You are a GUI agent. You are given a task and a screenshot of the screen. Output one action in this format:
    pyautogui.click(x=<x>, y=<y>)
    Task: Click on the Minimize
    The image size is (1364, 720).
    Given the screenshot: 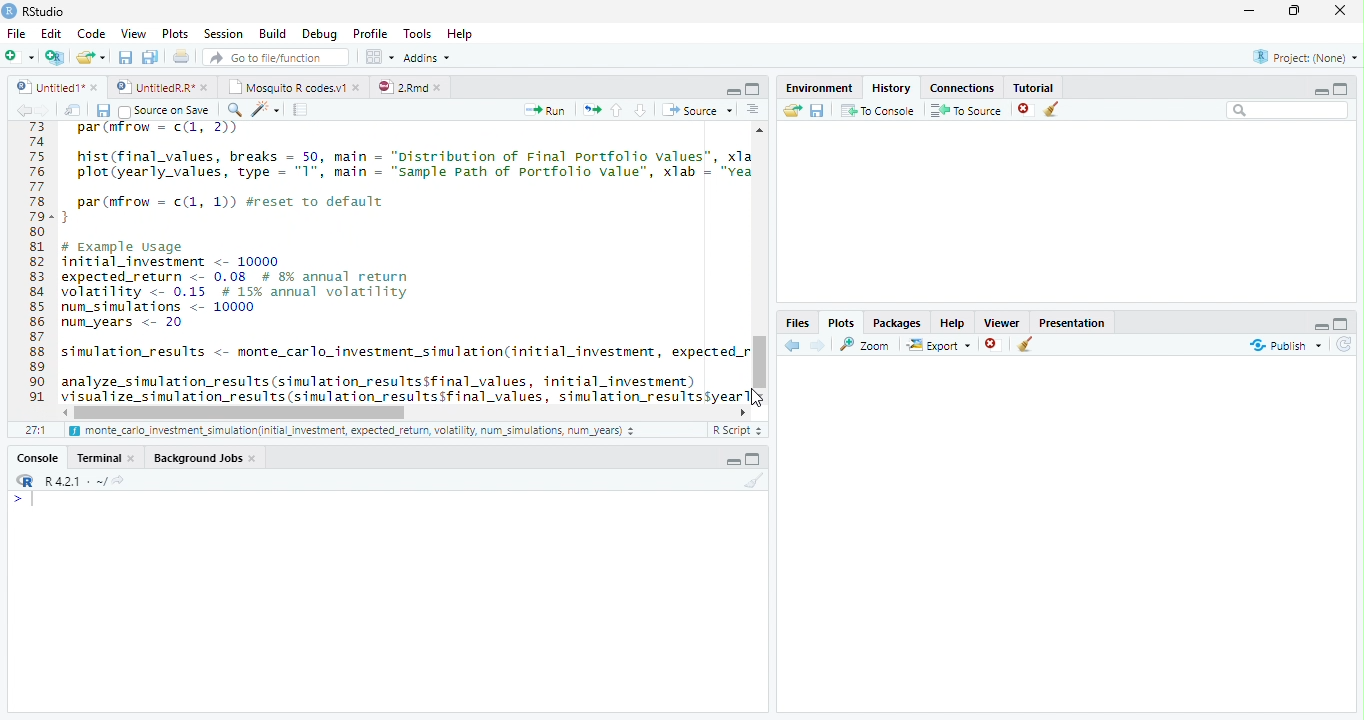 What is the action you would take?
    pyautogui.click(x=1253, y=12)
    